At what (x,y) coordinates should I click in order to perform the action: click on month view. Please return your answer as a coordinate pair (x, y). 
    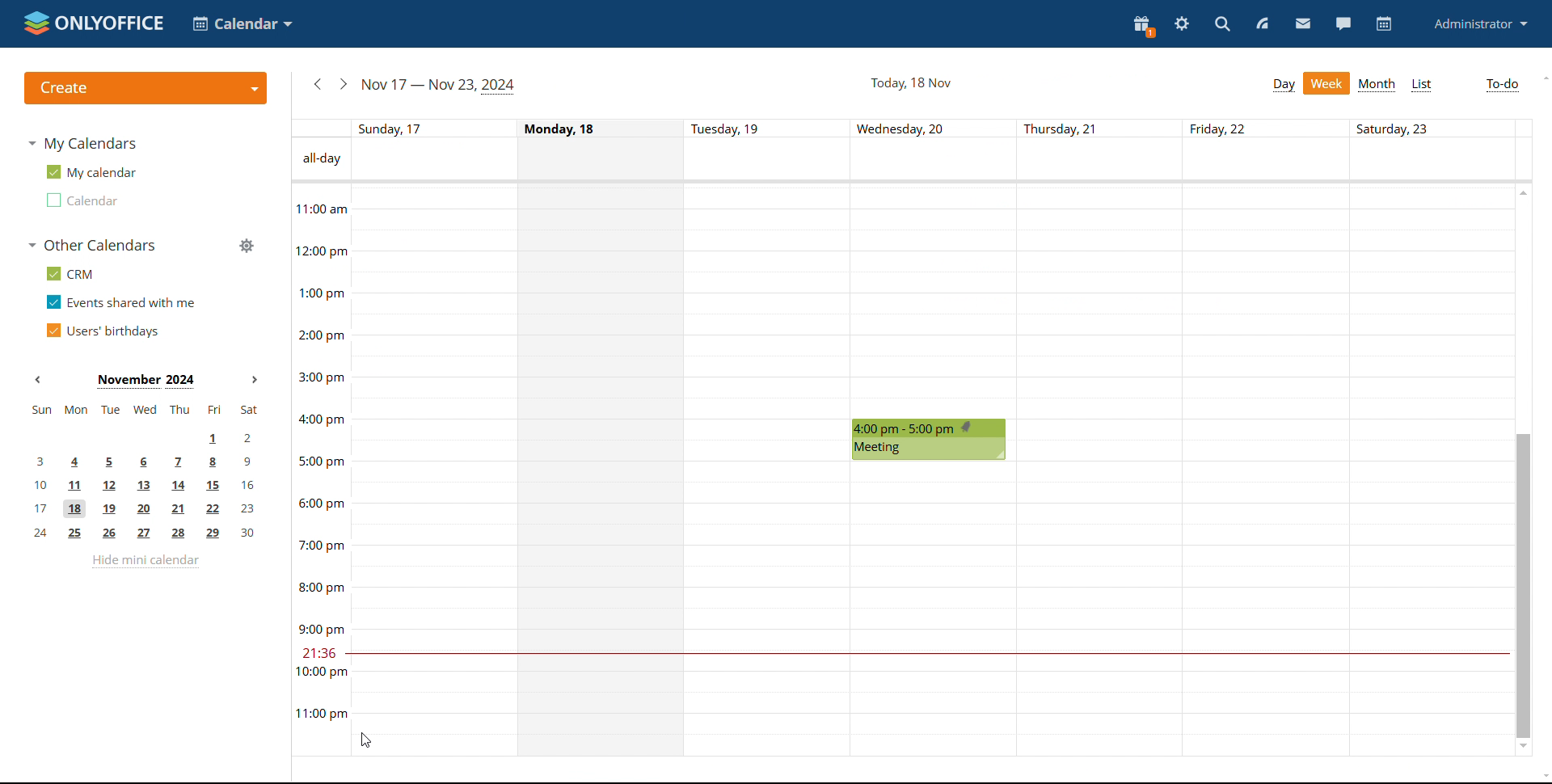
    Looking at the image, I should click on (1377, 85).